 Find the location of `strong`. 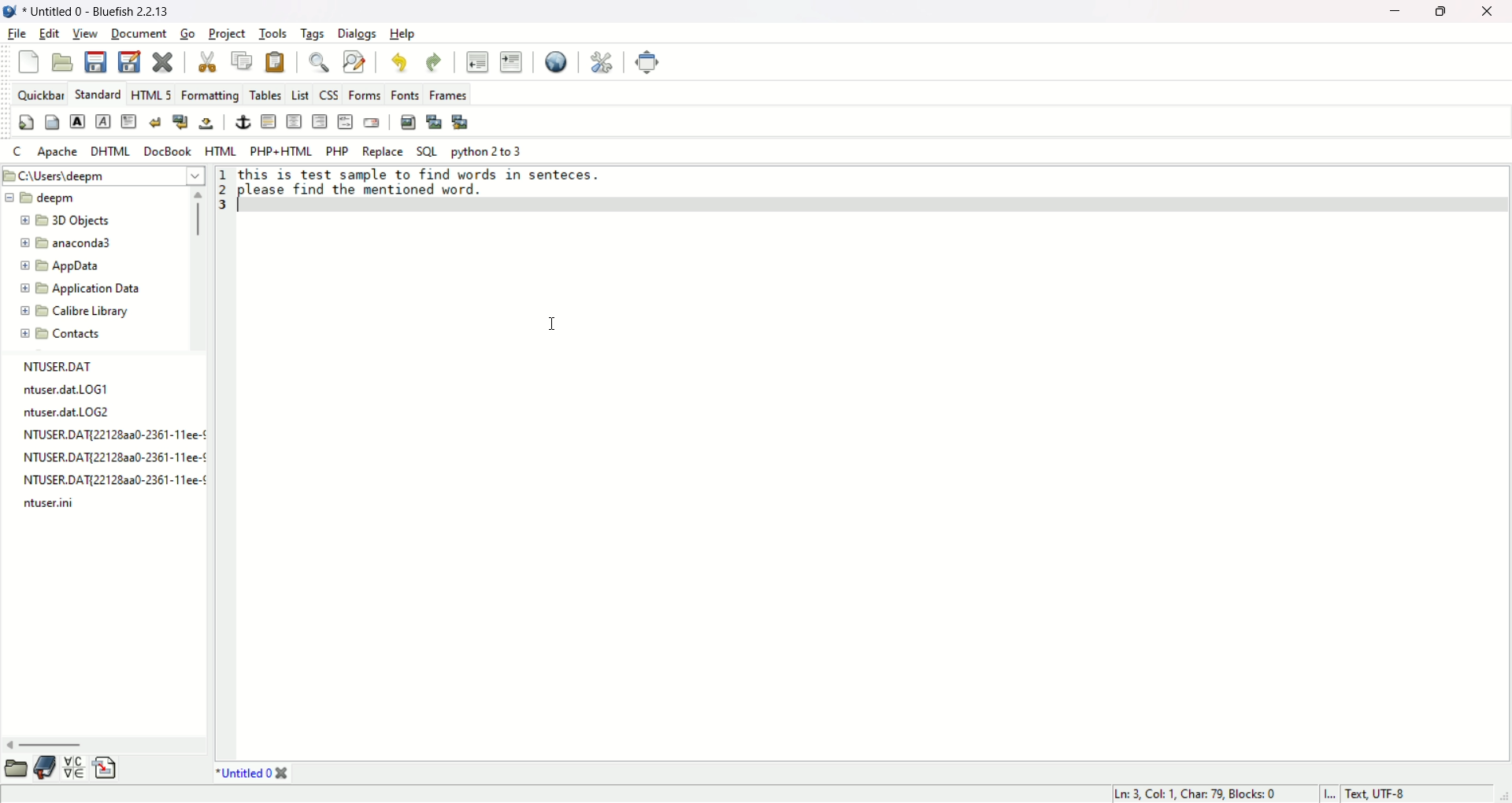

strong is located at coordinates (76, 121).